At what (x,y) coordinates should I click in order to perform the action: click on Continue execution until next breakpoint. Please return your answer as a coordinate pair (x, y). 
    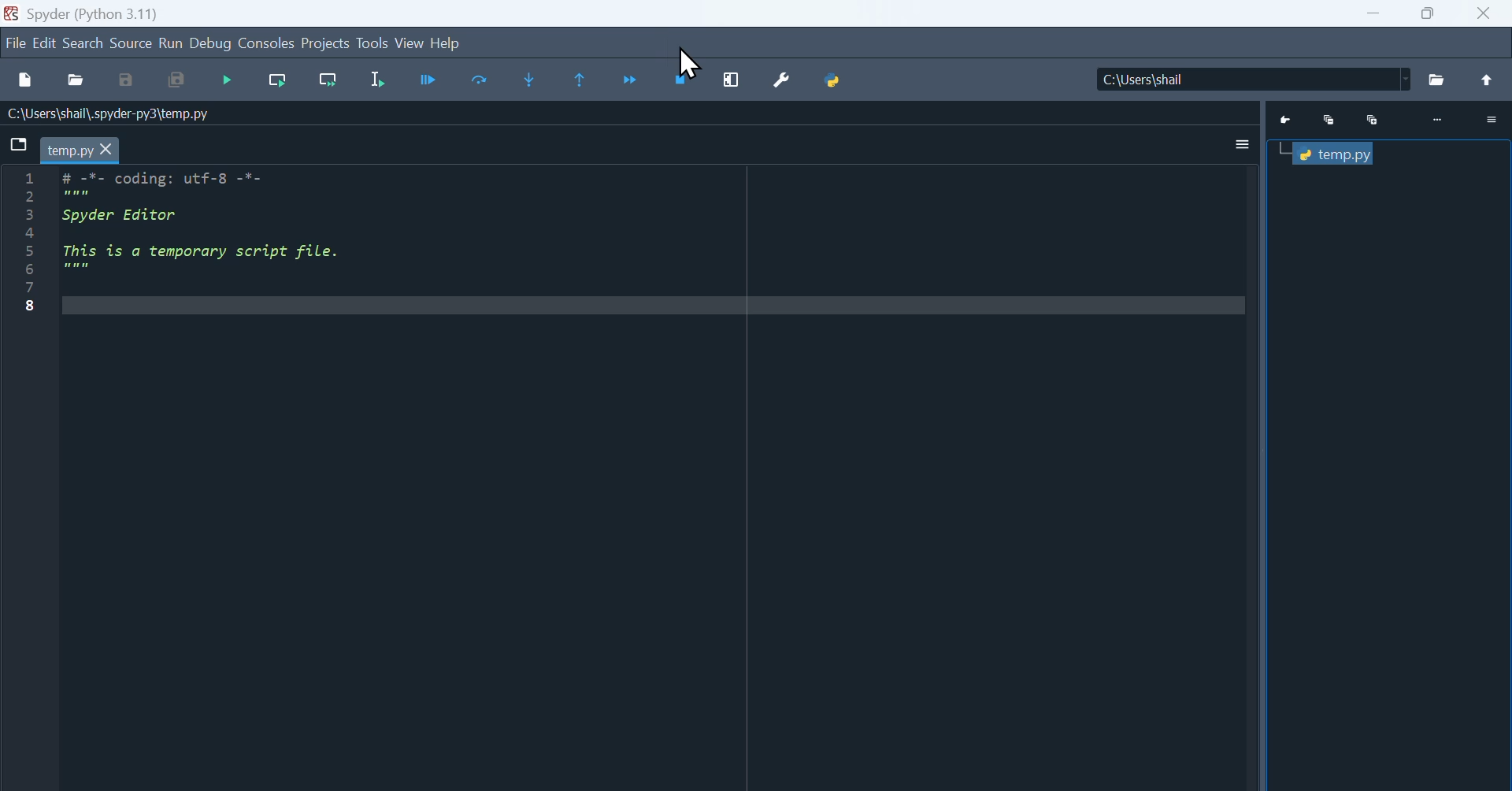
    Looking at the image, I should click on (632, 82).